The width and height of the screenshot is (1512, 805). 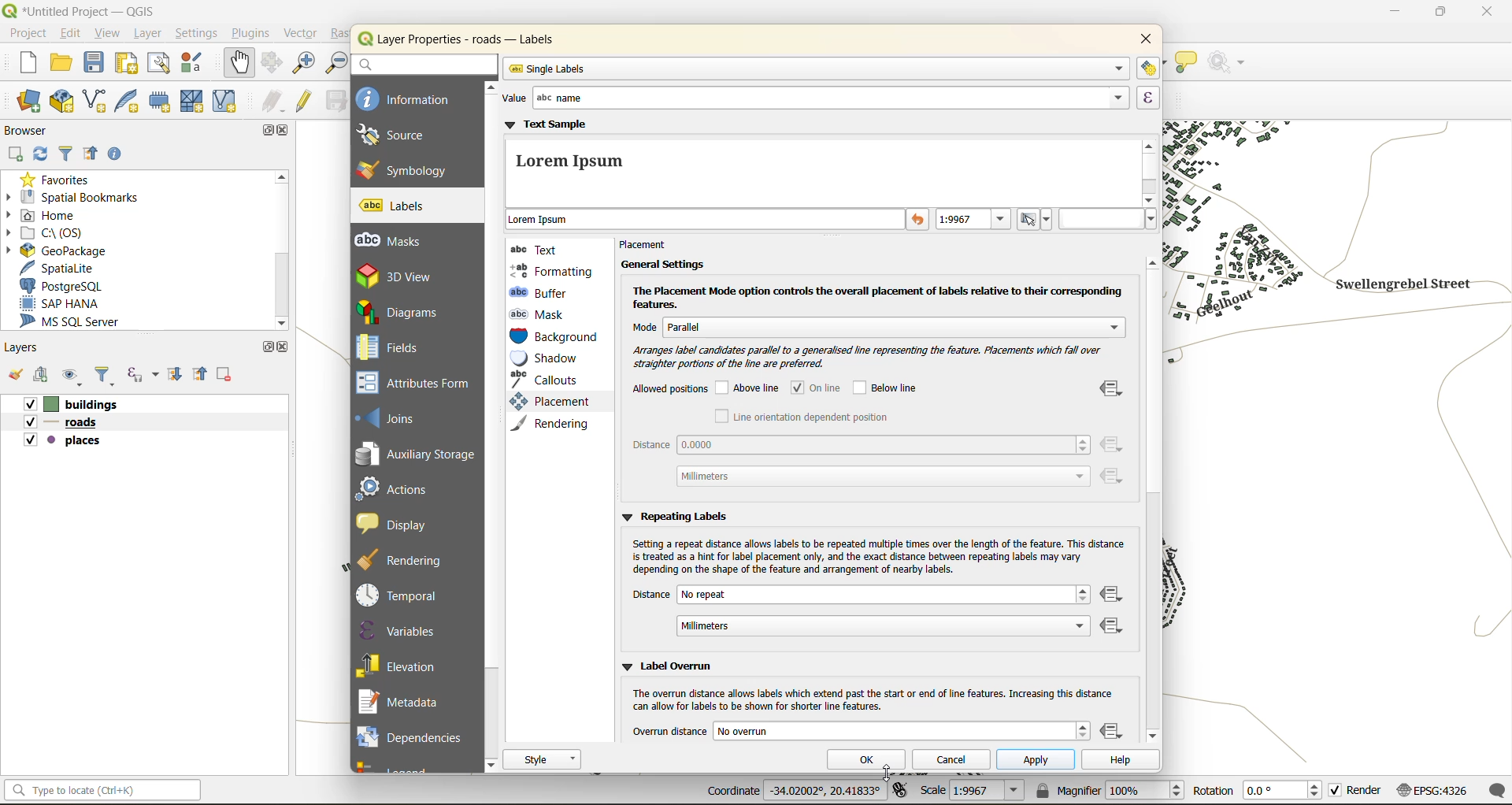 I want to click on attributes form, so click(x=419, y=384).